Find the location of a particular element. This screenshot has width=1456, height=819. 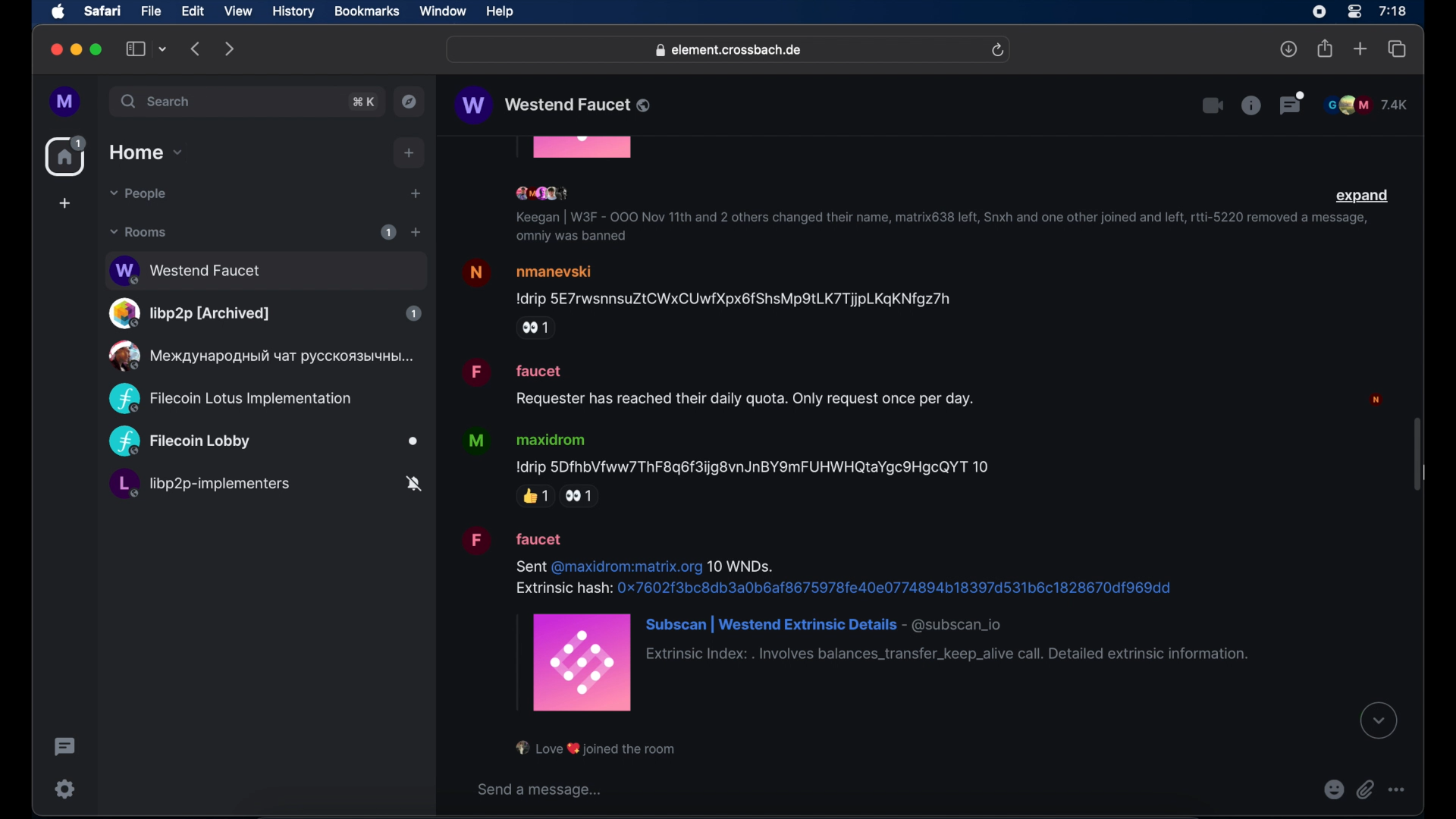

settings is located at coordinates (66, 789).